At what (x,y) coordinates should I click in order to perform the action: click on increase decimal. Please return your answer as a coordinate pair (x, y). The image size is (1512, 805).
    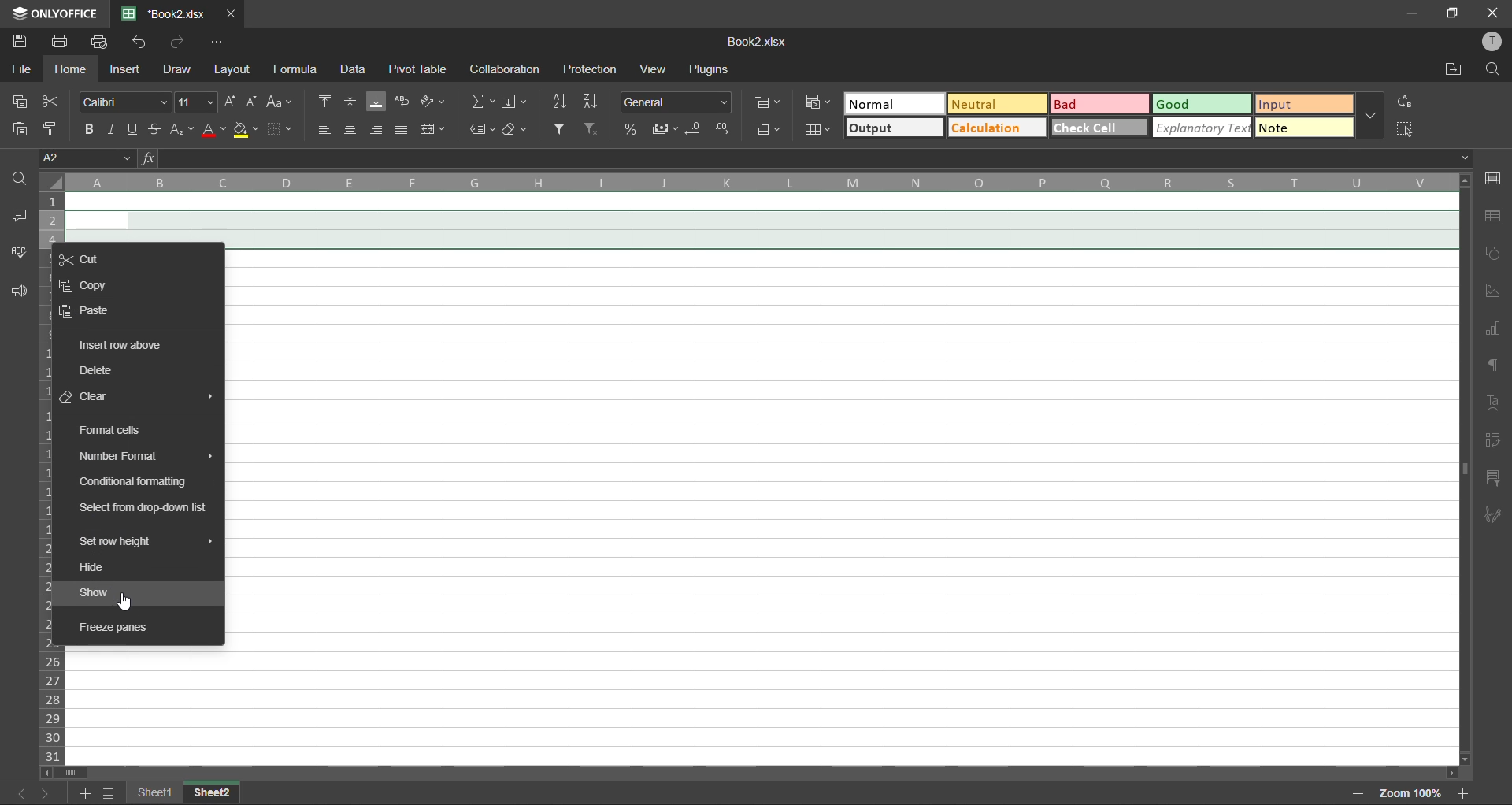
    Looking at the image, I should click on (722, 131).